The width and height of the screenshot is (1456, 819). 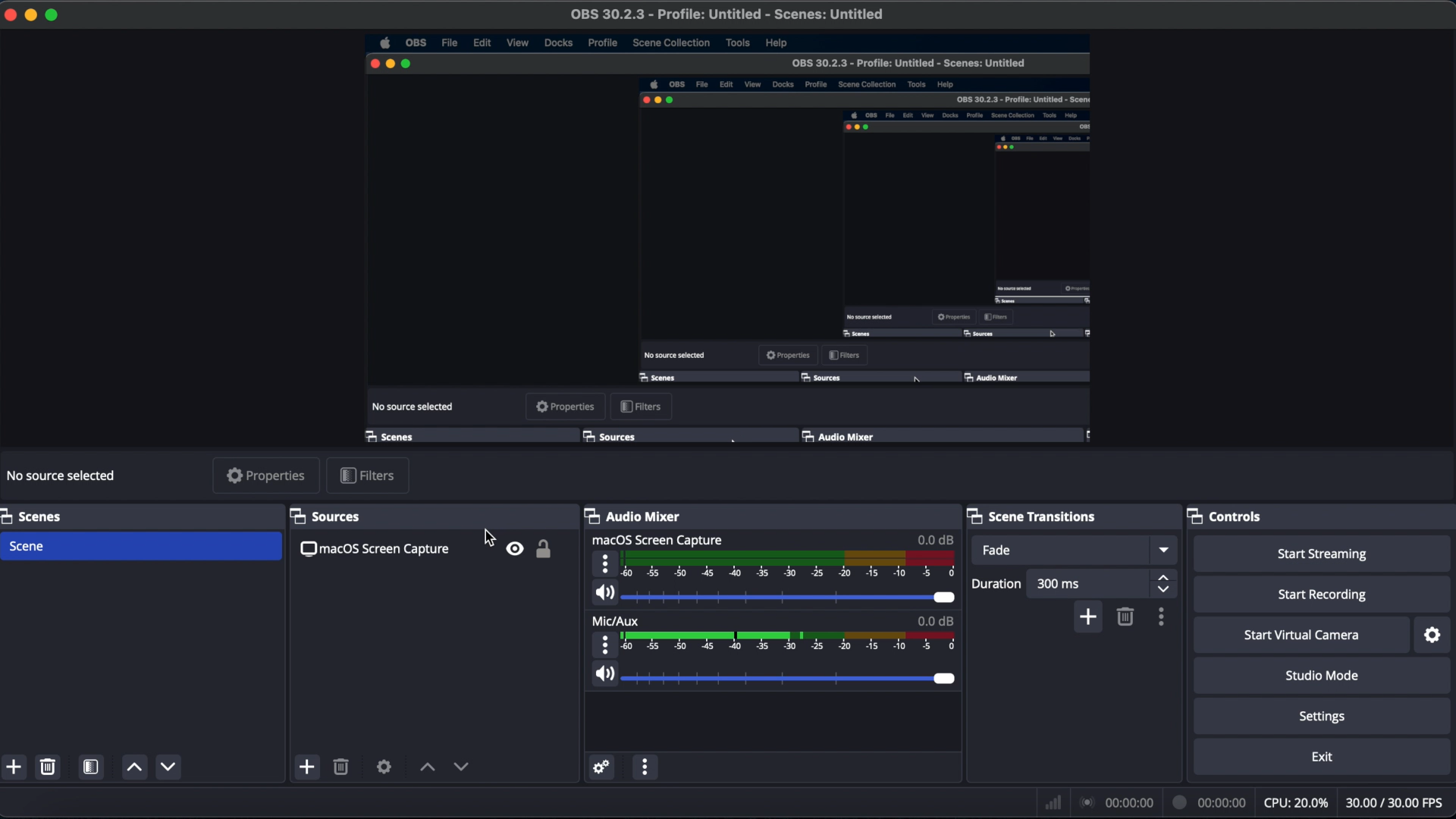 What do you see at coordinates (602, 767) in the screenshot?
I see `advanced audio properties` at bounding box center [602, 767].